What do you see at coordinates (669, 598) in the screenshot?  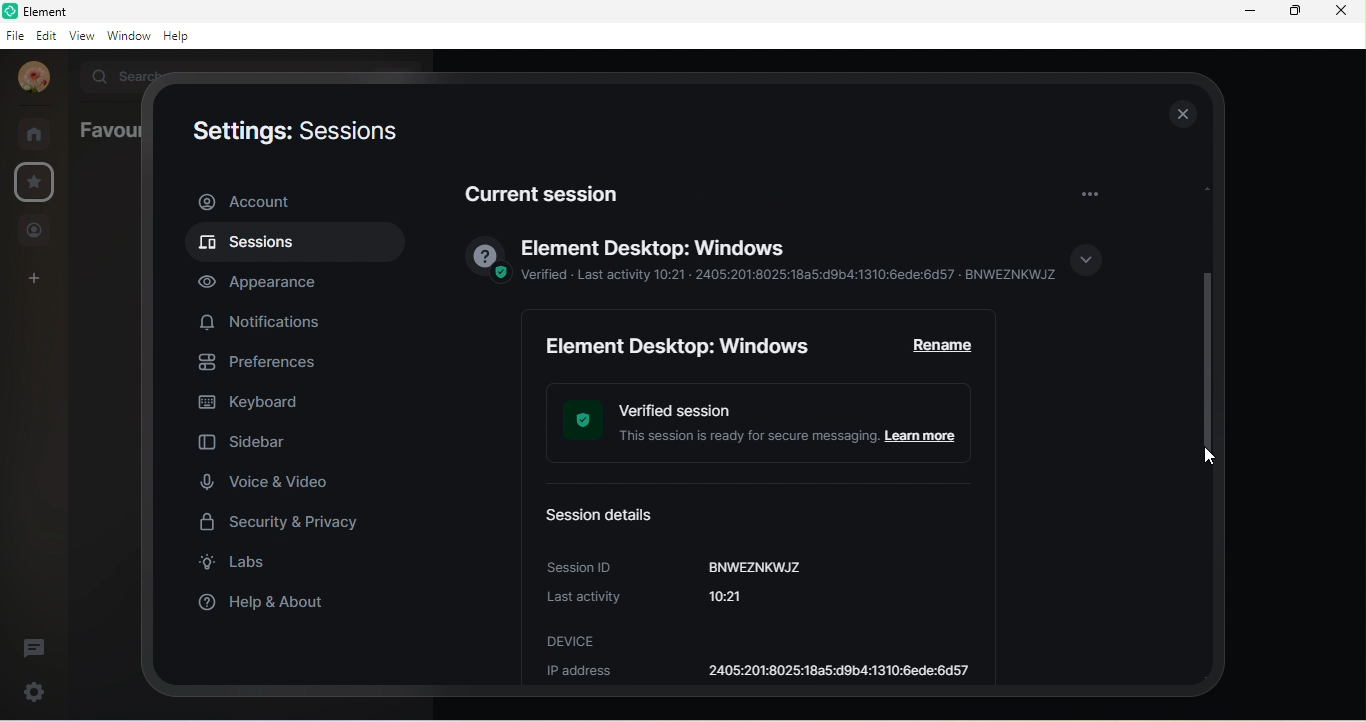 I see `last activity 10:21` at bounding box center [669, 598].